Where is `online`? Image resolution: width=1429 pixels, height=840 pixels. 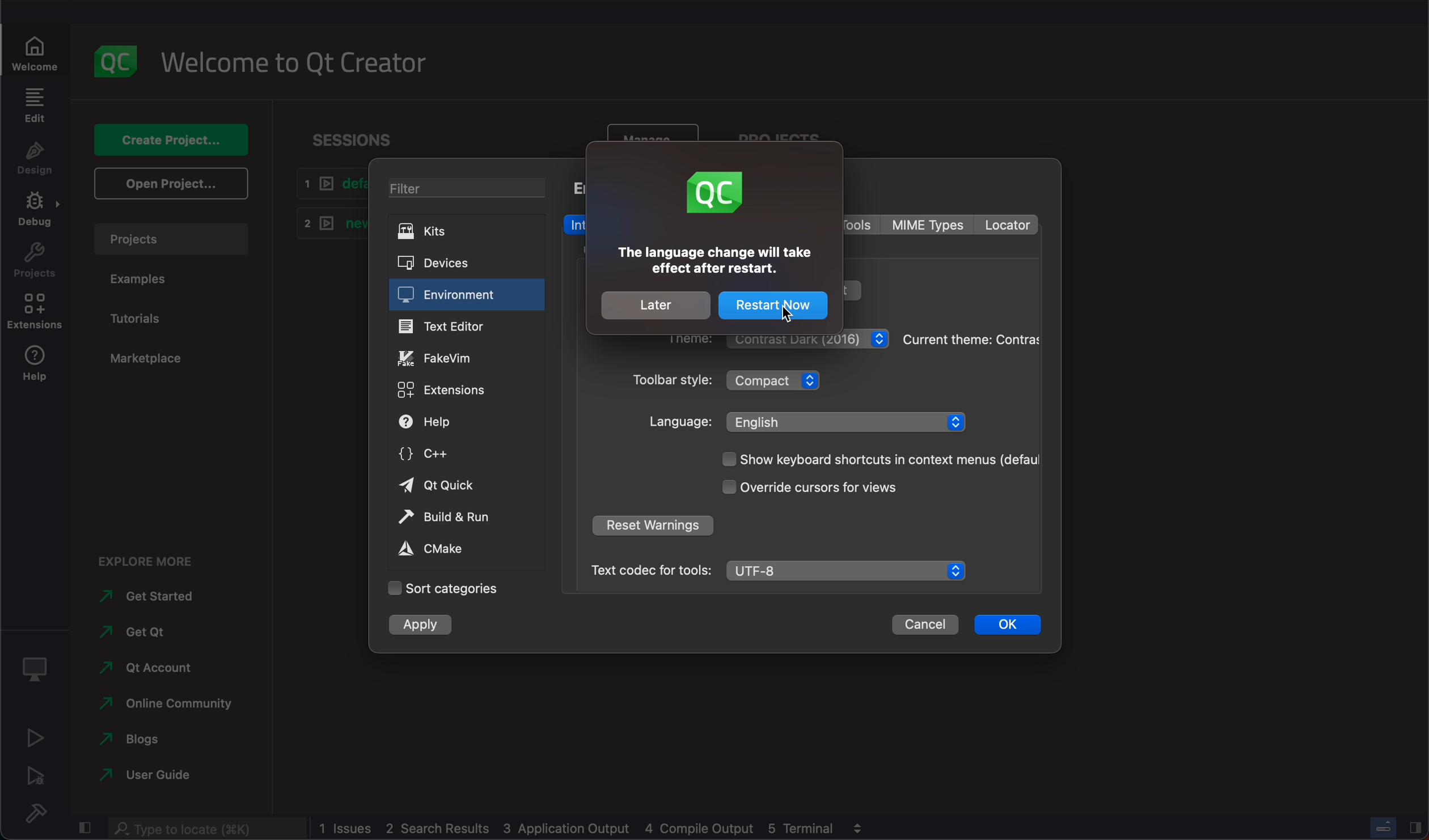 online is located at coordinates (160, 705).